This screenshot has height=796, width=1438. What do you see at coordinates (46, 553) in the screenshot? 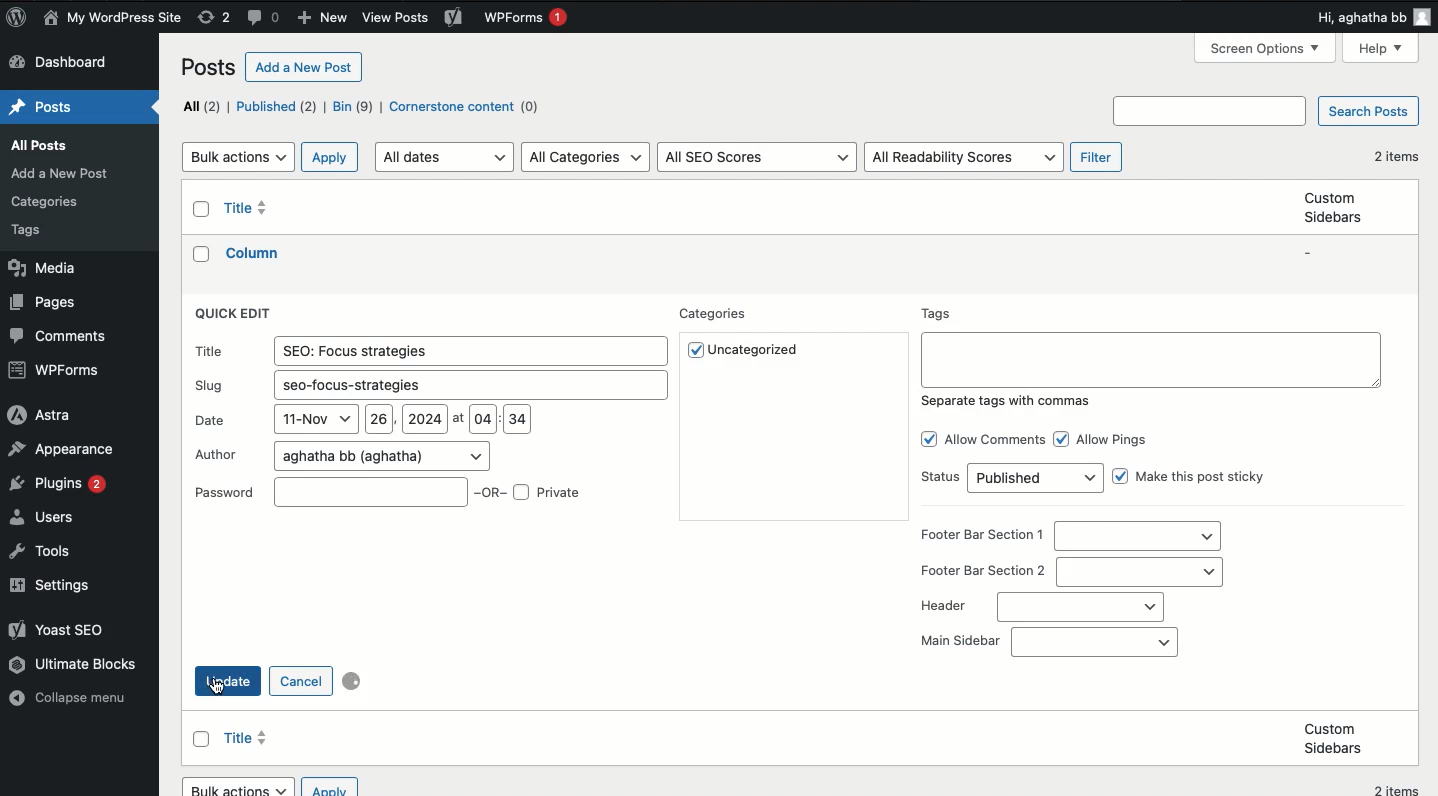
I see `Tools` at bounding box center [46, 553].